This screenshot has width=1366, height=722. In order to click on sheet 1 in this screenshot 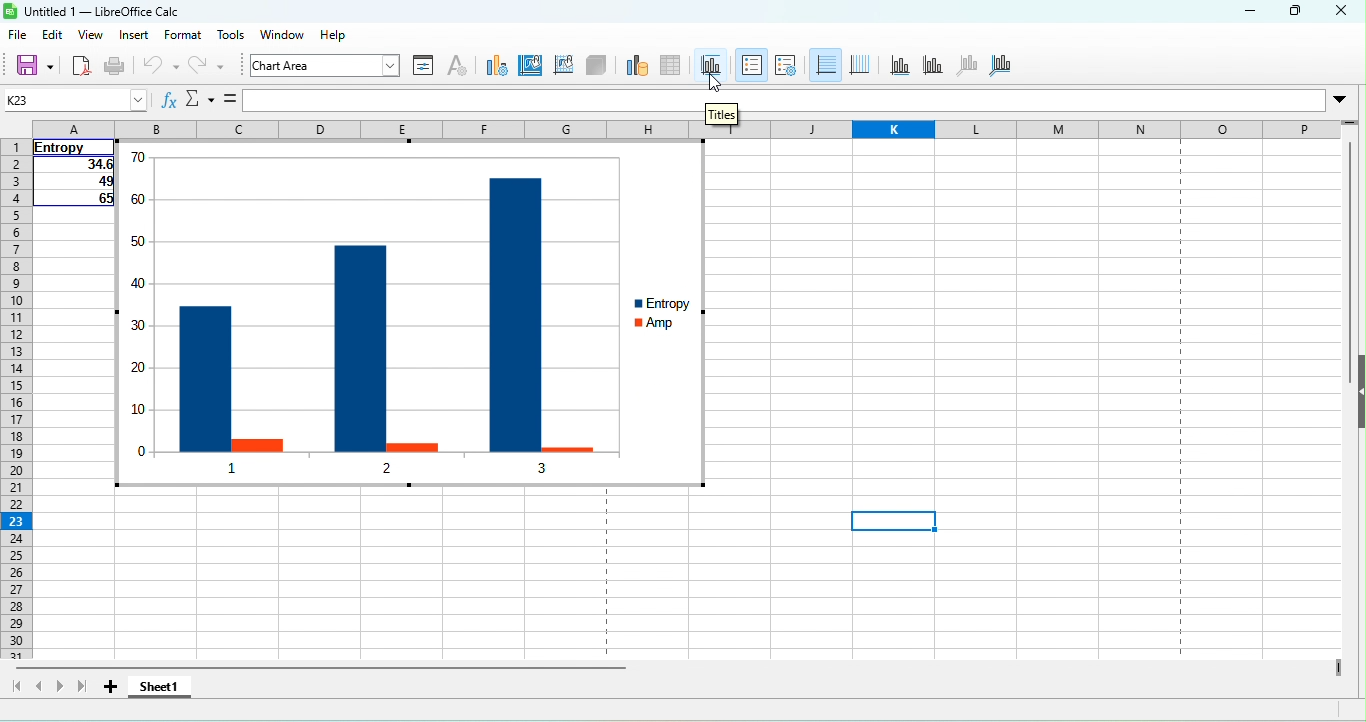, I will do `click(164, 687)`.